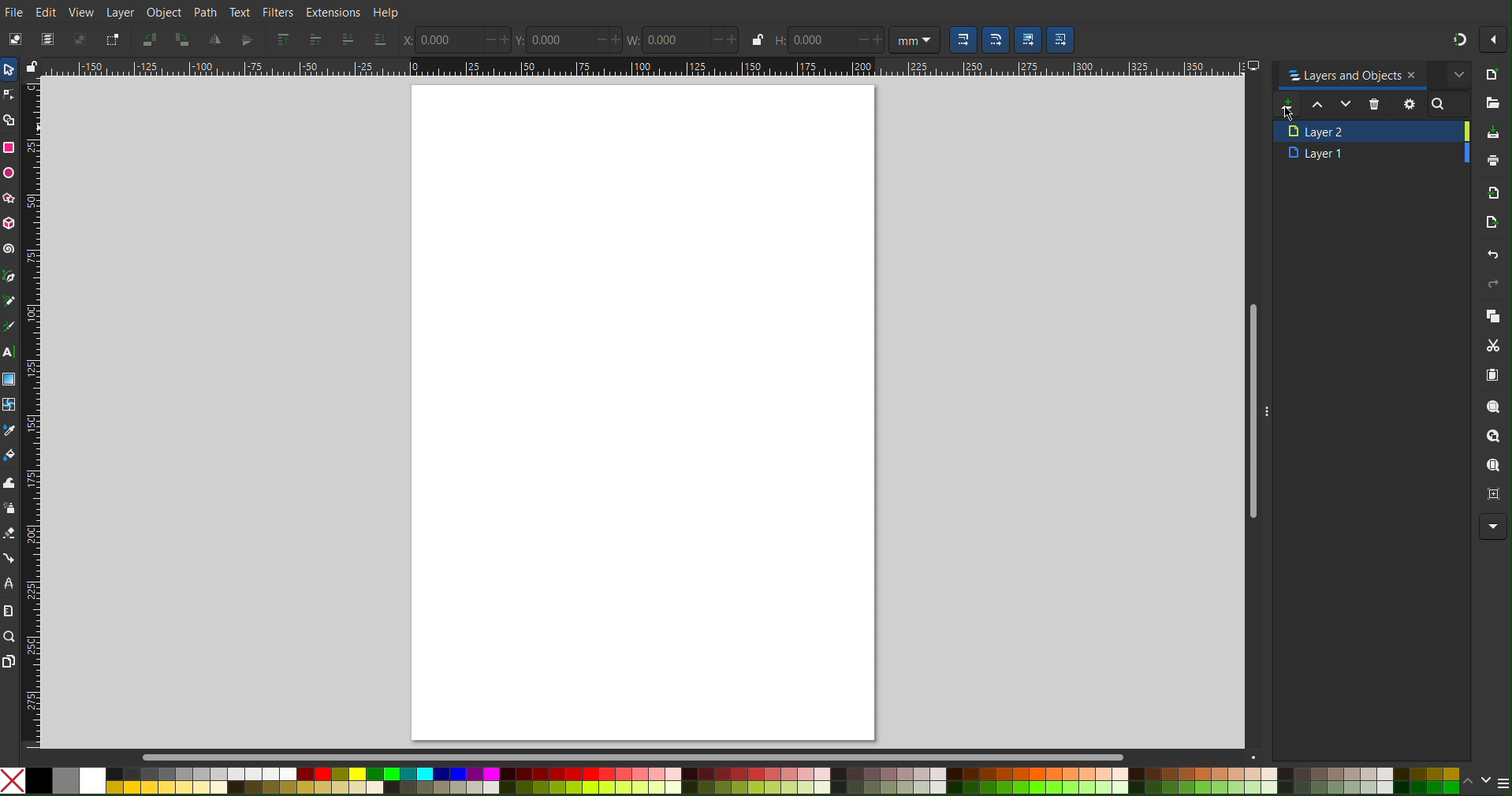  I want to click on Zoom Tool, so click(13, 635).